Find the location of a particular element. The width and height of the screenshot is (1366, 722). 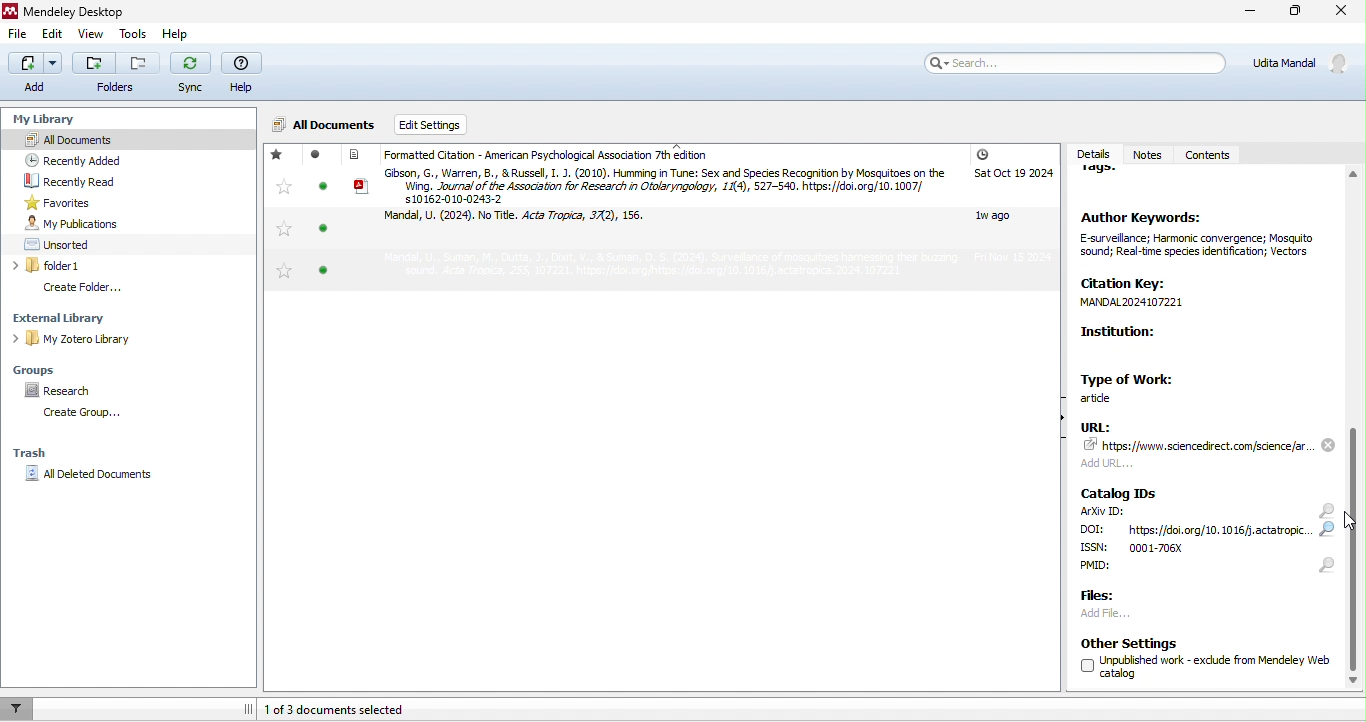

PMID is located at coordinates (1127, 569).